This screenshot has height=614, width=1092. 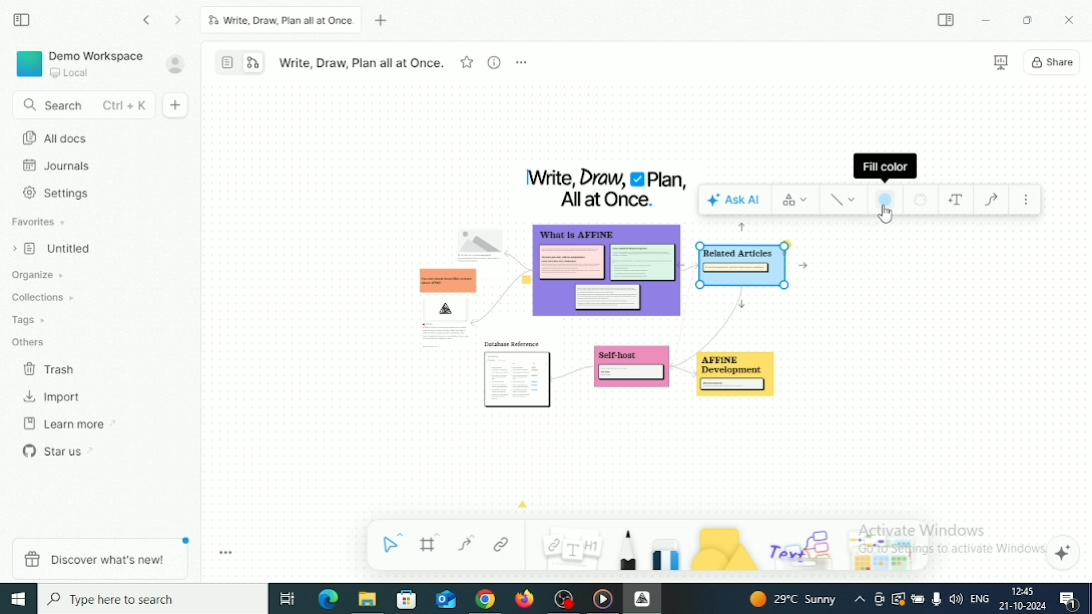 What do you see at coordinates (956, 200) in the screenshot?
I see `Add text` at bounding box center [956, 200].